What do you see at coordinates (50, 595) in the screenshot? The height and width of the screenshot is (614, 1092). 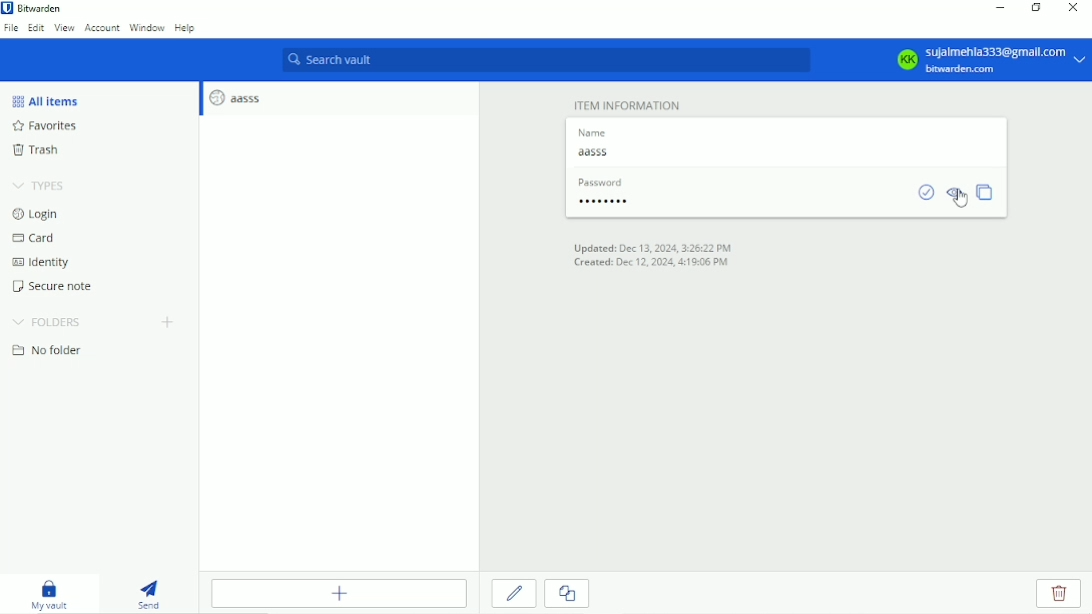 I see `My vault` at bounding box center [50, 595].